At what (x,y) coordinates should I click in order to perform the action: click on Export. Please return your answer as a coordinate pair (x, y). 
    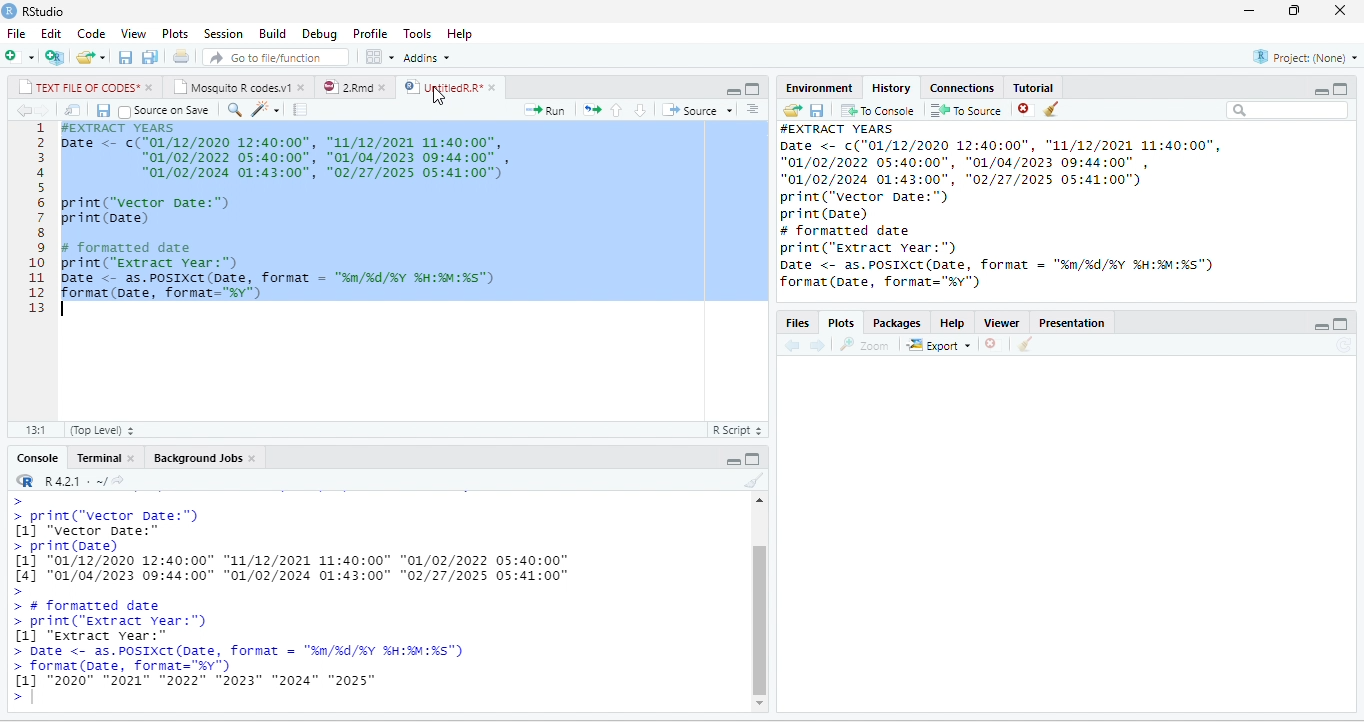
    Looking at the image, I should click on (940, 344).